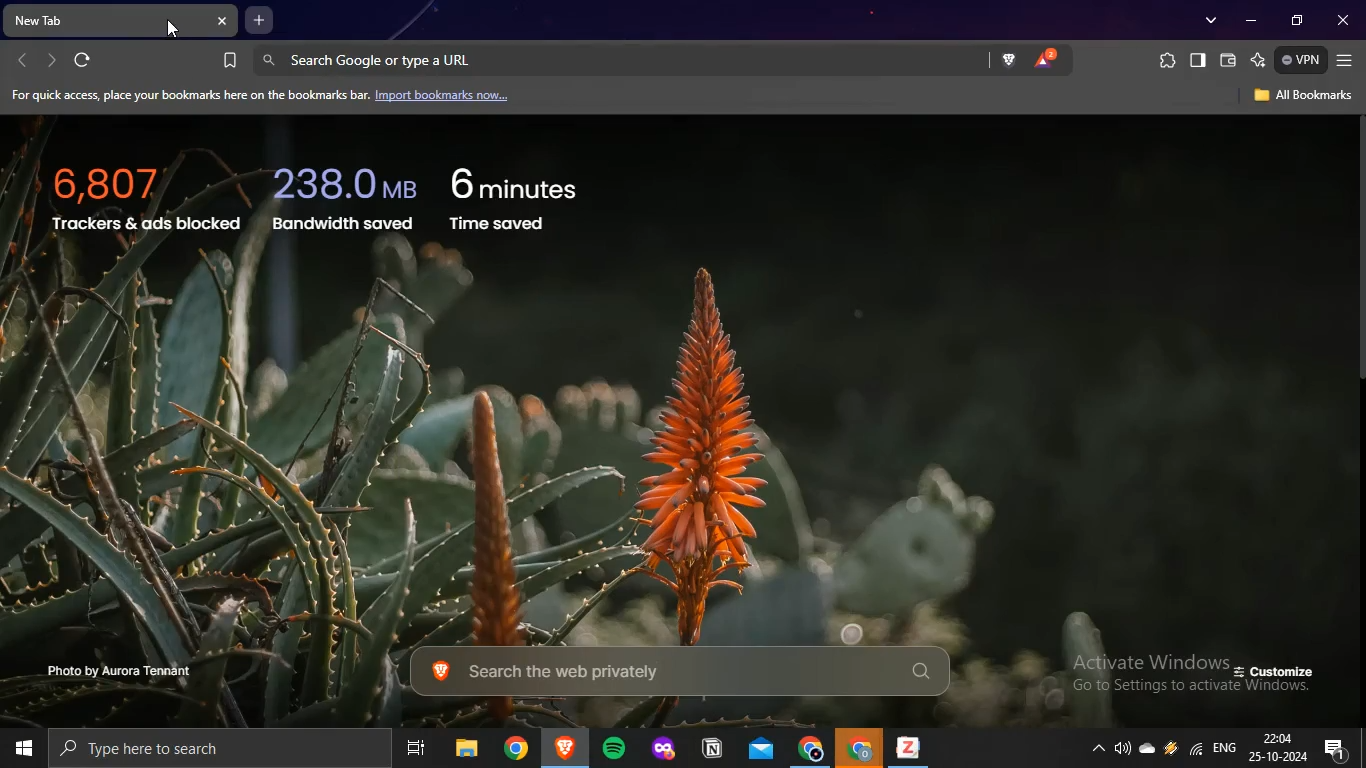 This screenshot has width=1366, height=768. What do you see at coordinates (1120, 744) in the screenshot?
I see `volume` at bounding box center [1120, 744].